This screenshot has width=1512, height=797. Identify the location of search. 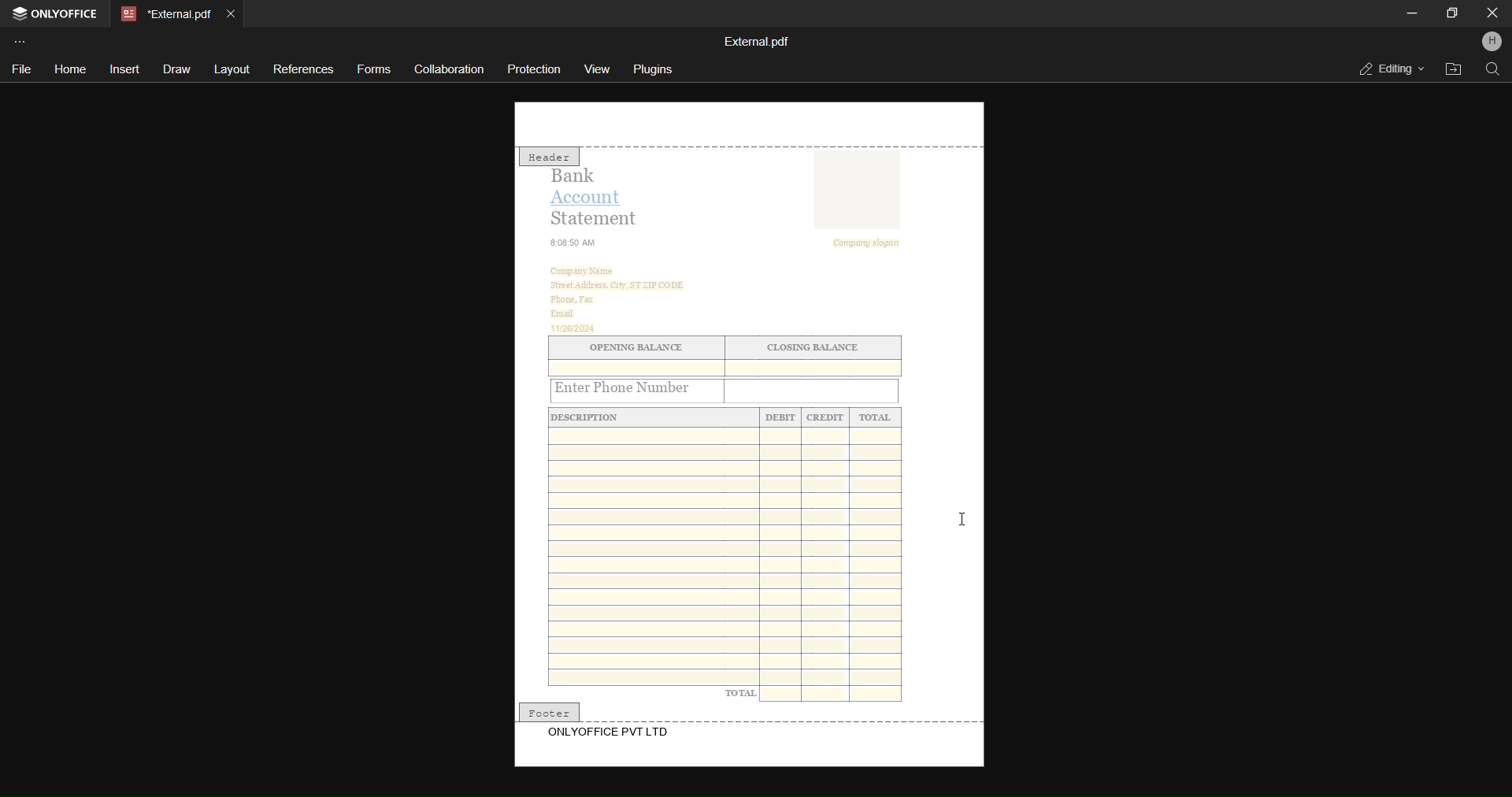
(1492, 70).